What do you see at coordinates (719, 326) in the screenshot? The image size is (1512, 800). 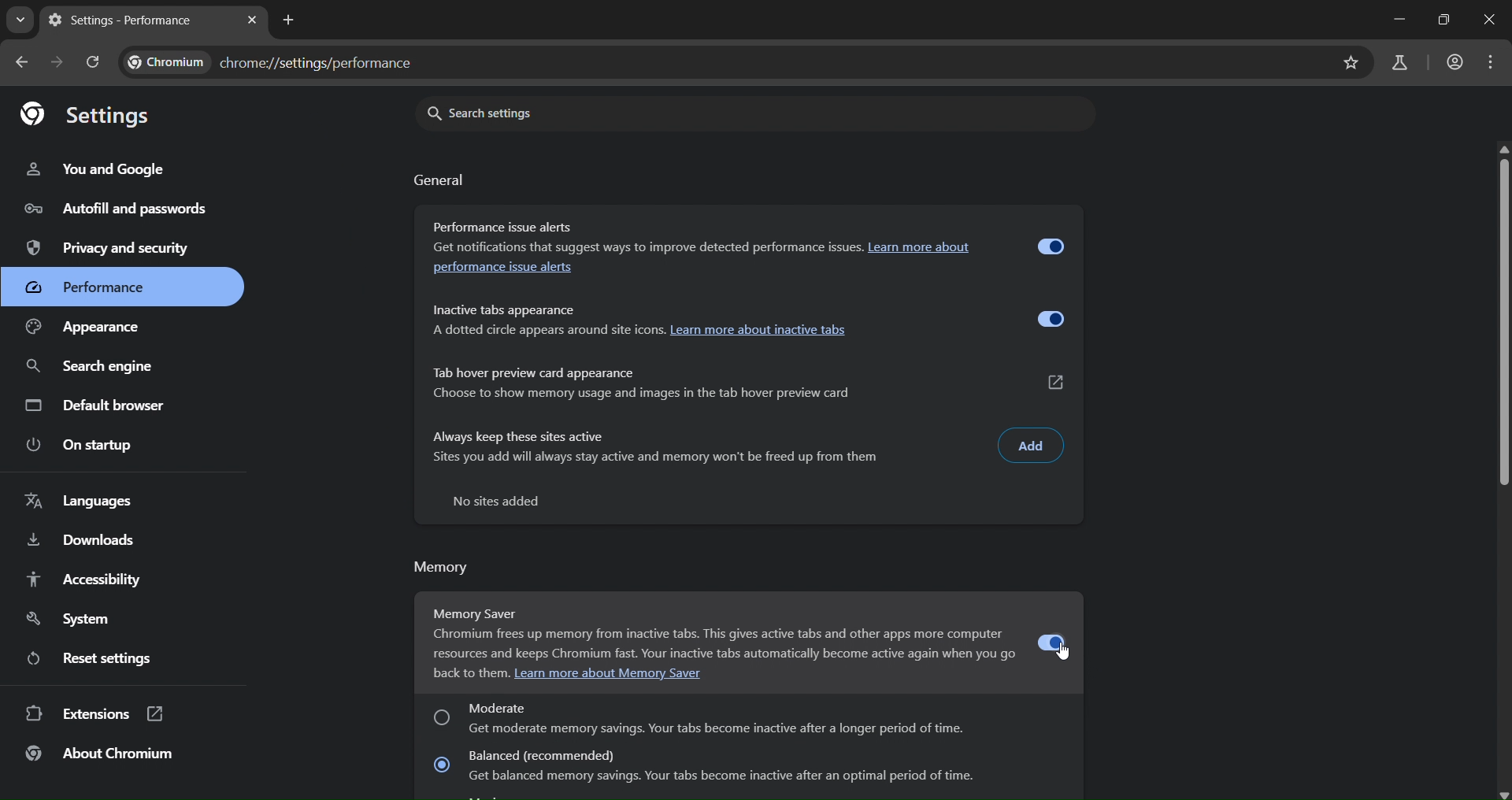 I see `Inactive tabs appearance A dotted circle appears around site icons. Learn more about inactive tabs` at bounding box center [719, 326].